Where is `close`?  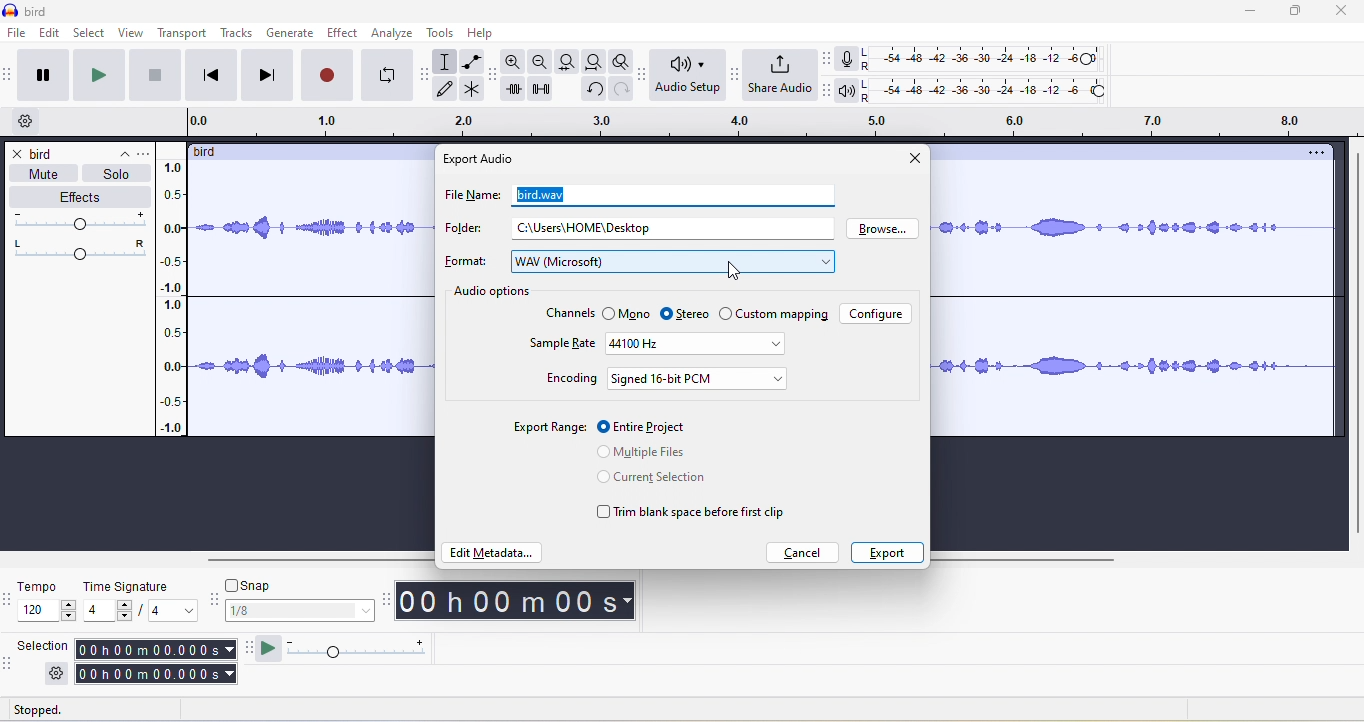
close is located at coordinates (1347, 14).